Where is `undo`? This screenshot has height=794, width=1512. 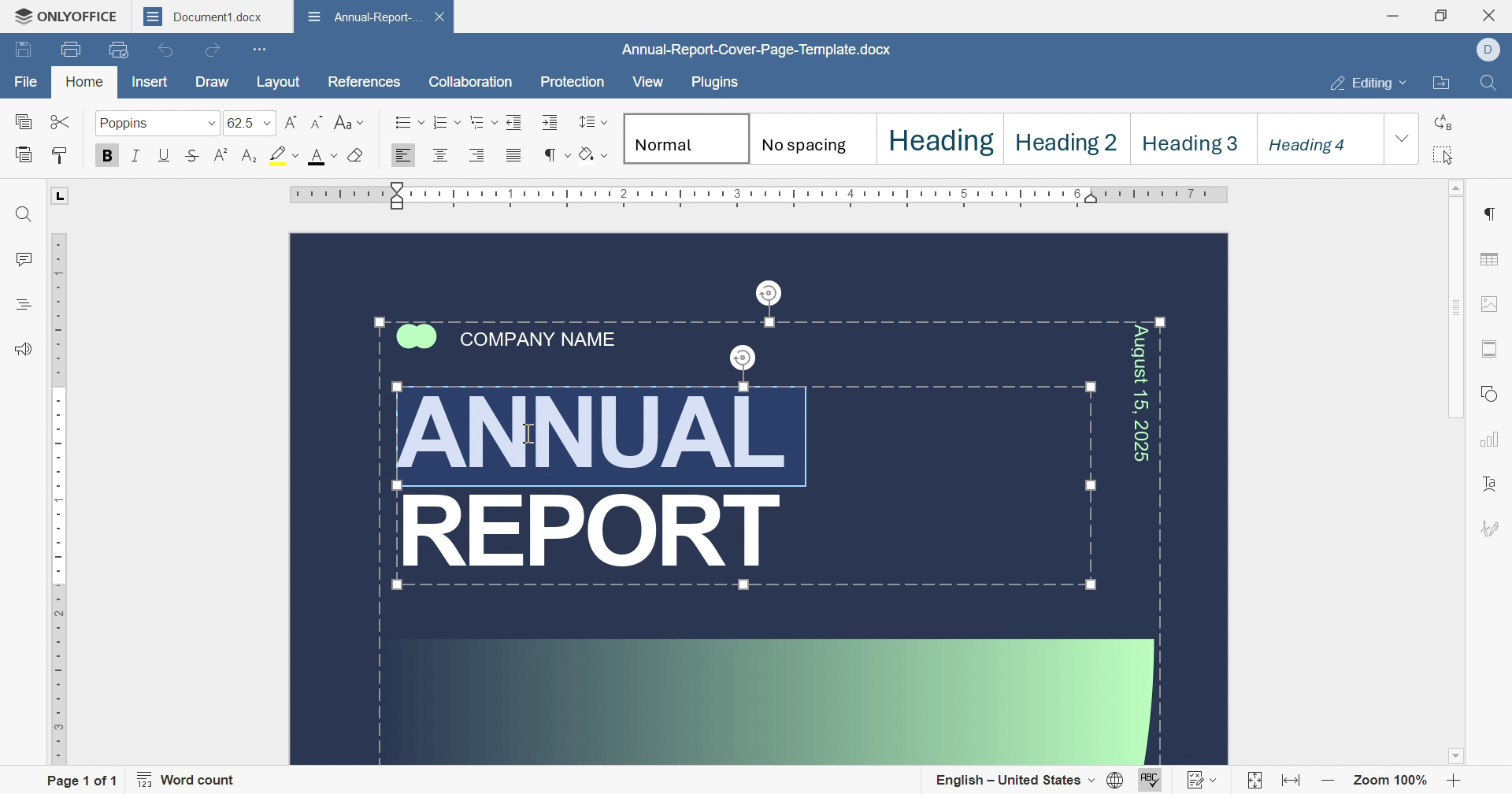 undo is located at coordinates (166, 52).